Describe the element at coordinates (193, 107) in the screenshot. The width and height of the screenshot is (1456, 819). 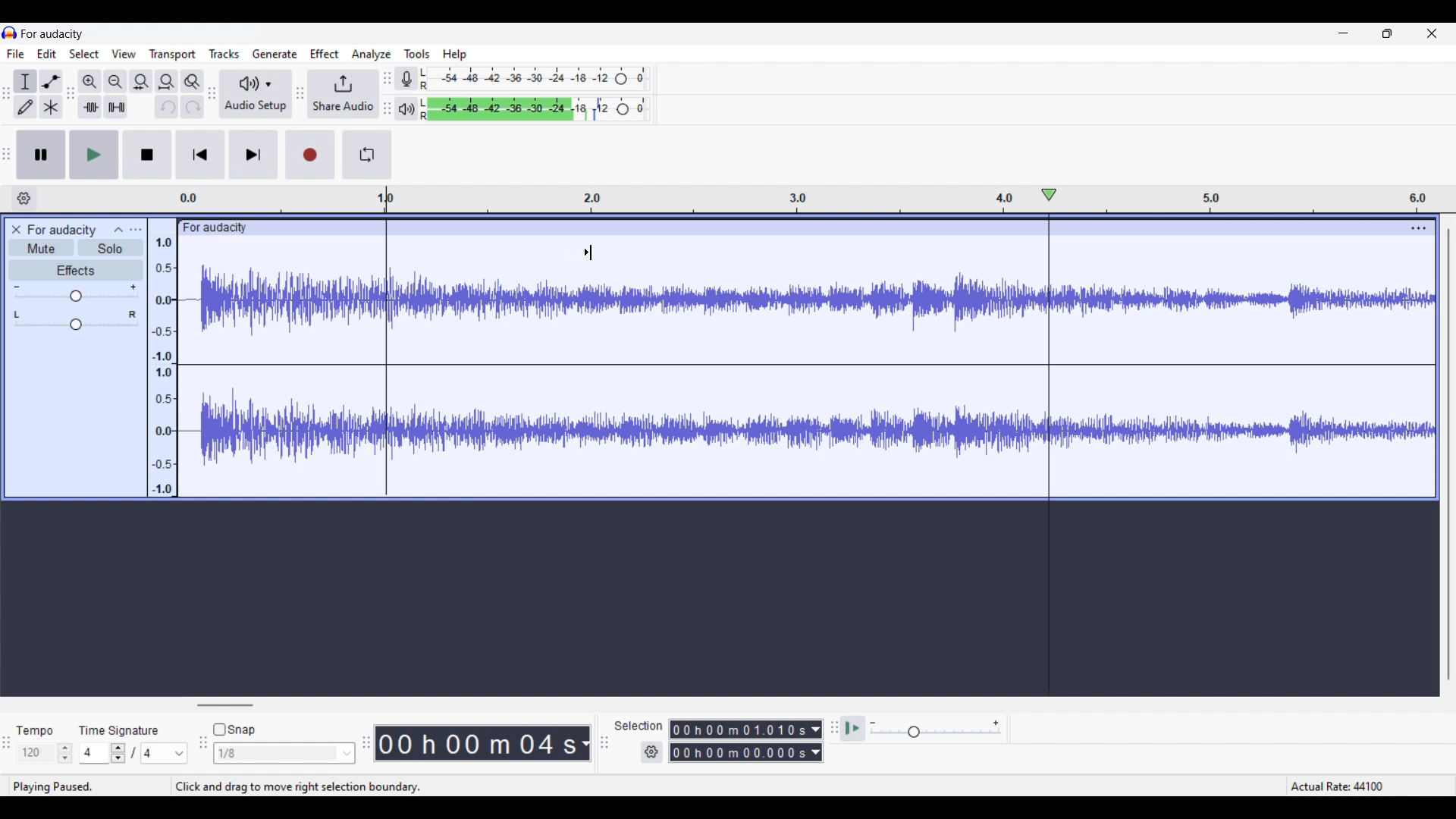
I see `Redo` at that location.